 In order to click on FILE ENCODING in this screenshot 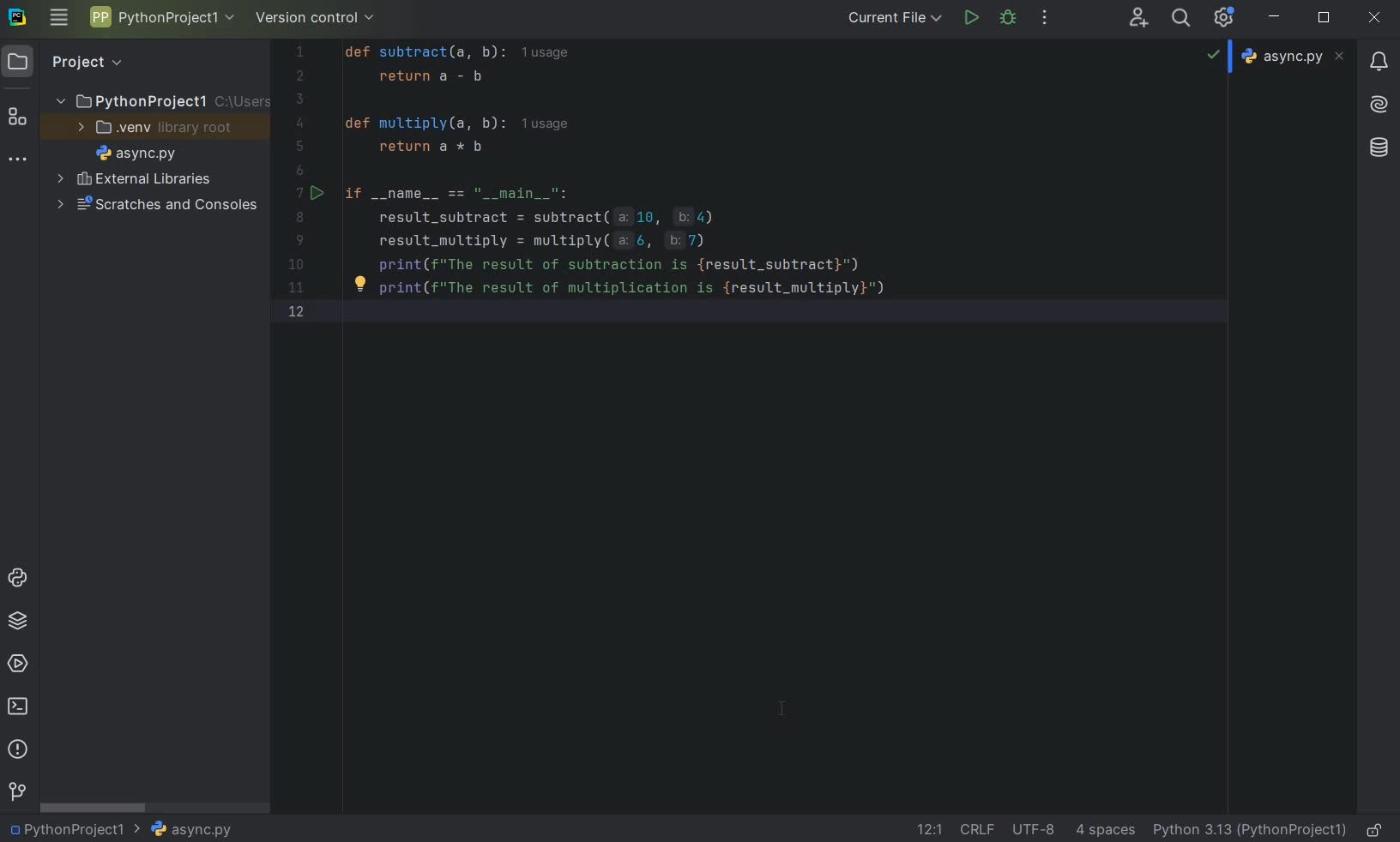, I will do `click(1040, 829)`.